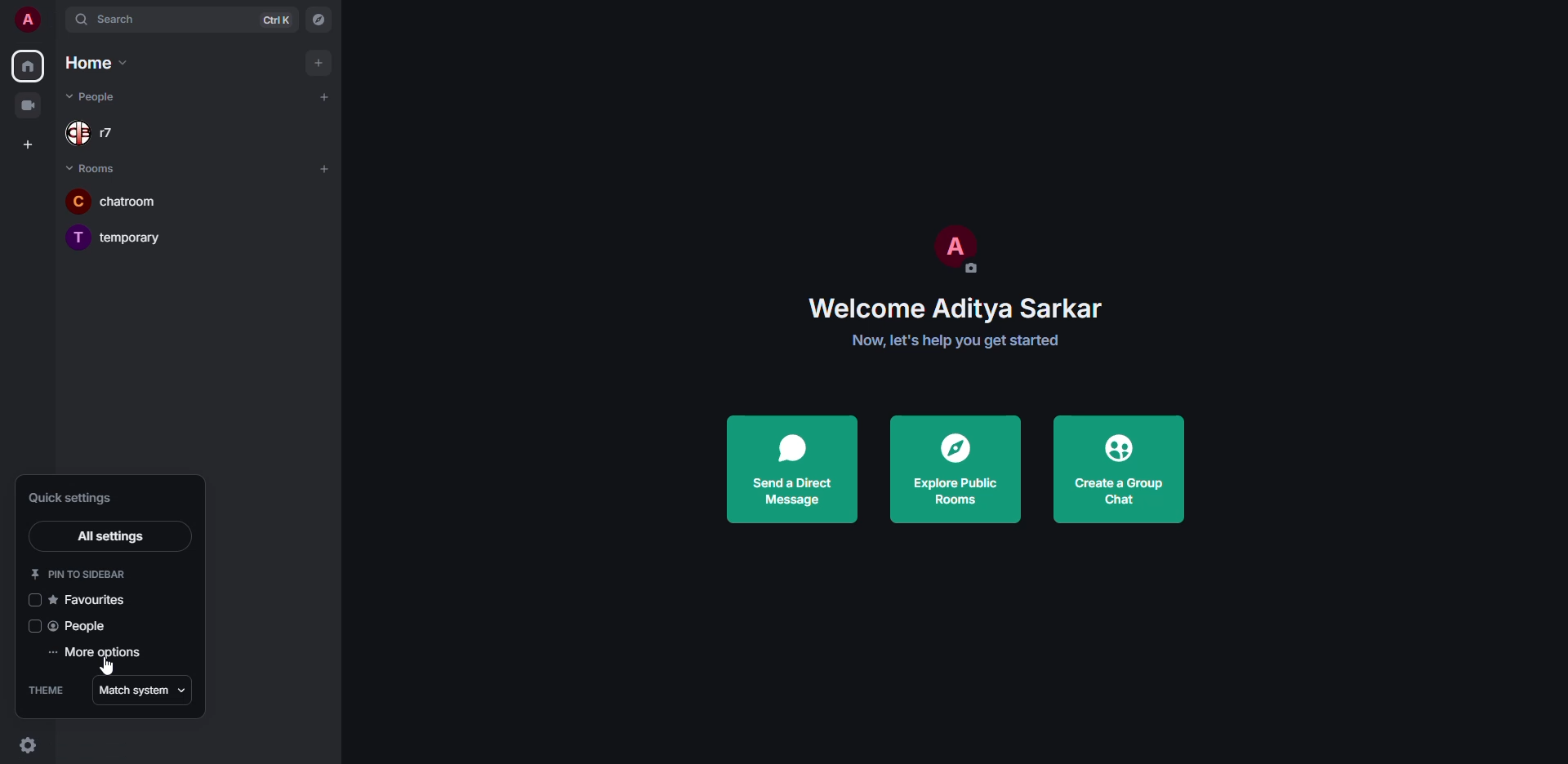  Describe the element at coordinates (110, 536) in the screenshot. I see `all settings` at that location.